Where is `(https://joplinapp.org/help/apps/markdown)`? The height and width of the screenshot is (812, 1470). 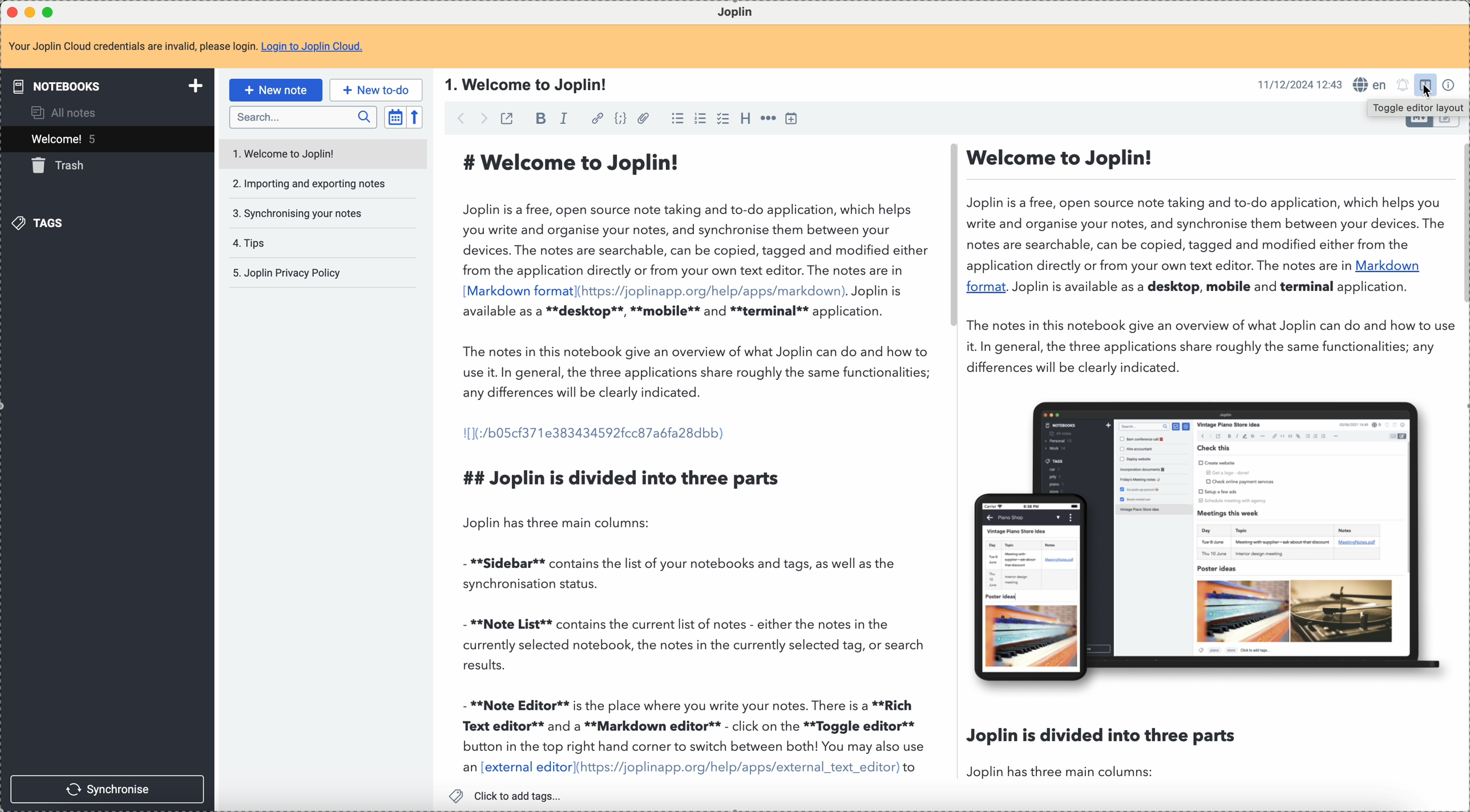
(https://joplinapp.org/help/apps/markdown) is located at coordinates (712, 291).